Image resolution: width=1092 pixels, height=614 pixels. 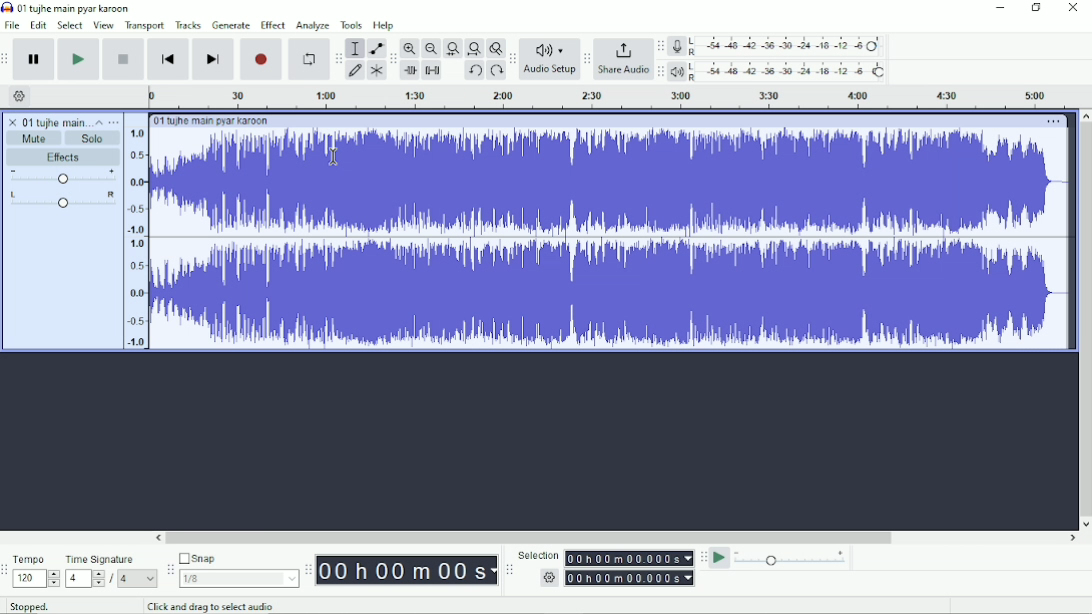 I want to click on Edit, so click(x=38, y=26).